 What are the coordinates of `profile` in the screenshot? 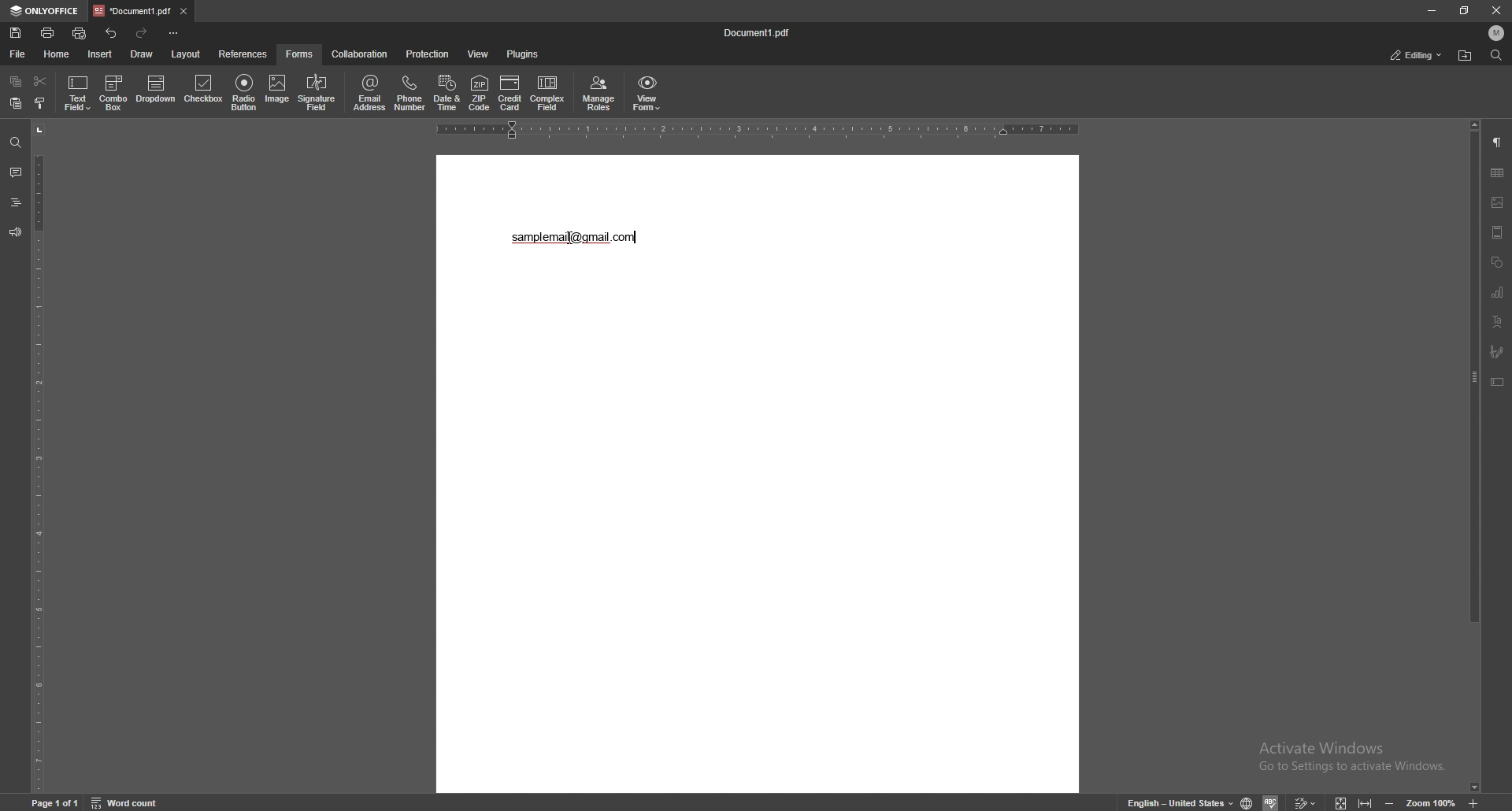 It's located at (1497, 33).